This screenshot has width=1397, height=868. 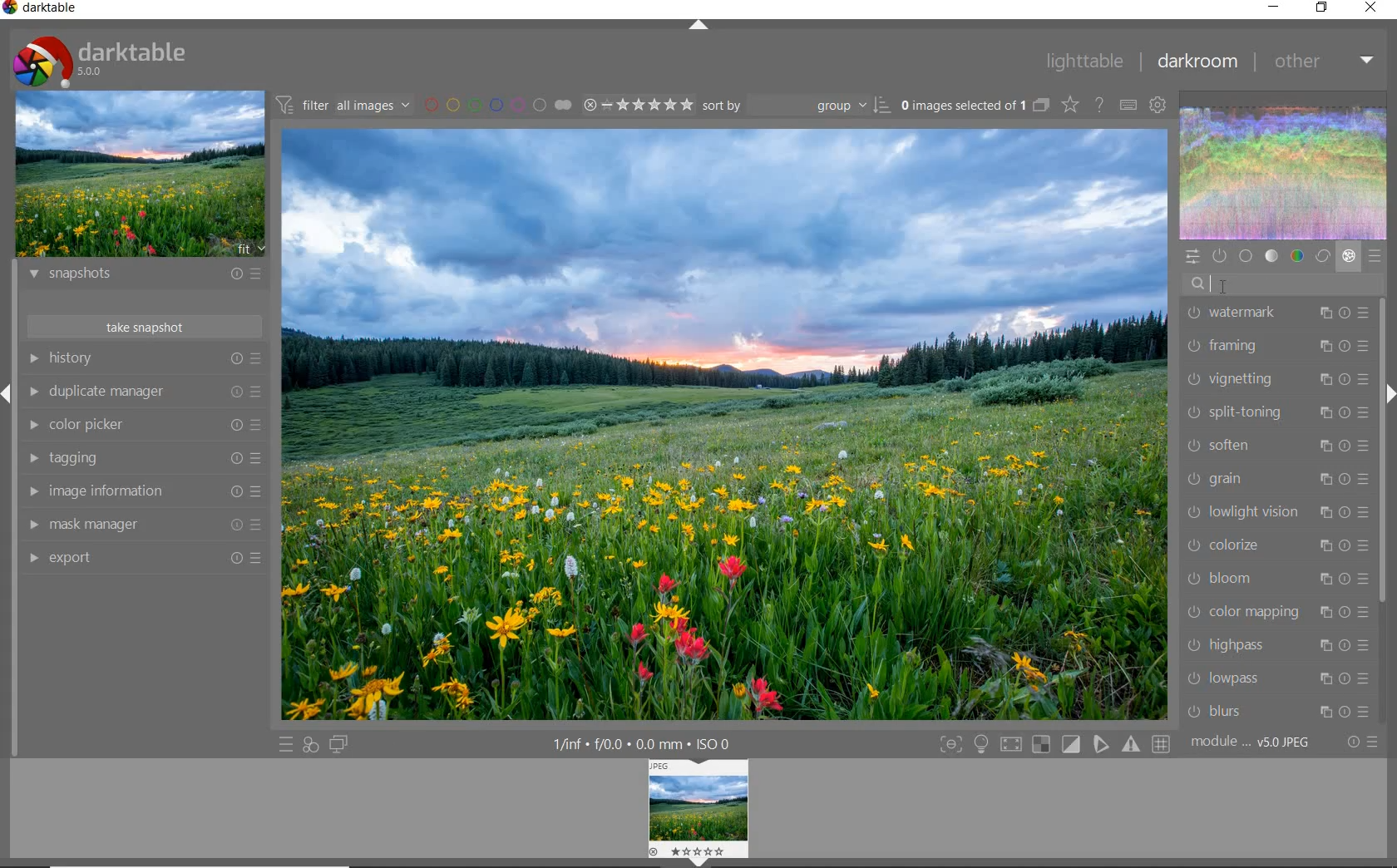 What do you see at coordinates (143, 491) in the screenshot?
I see `image information` at bounding box center [143, 491].